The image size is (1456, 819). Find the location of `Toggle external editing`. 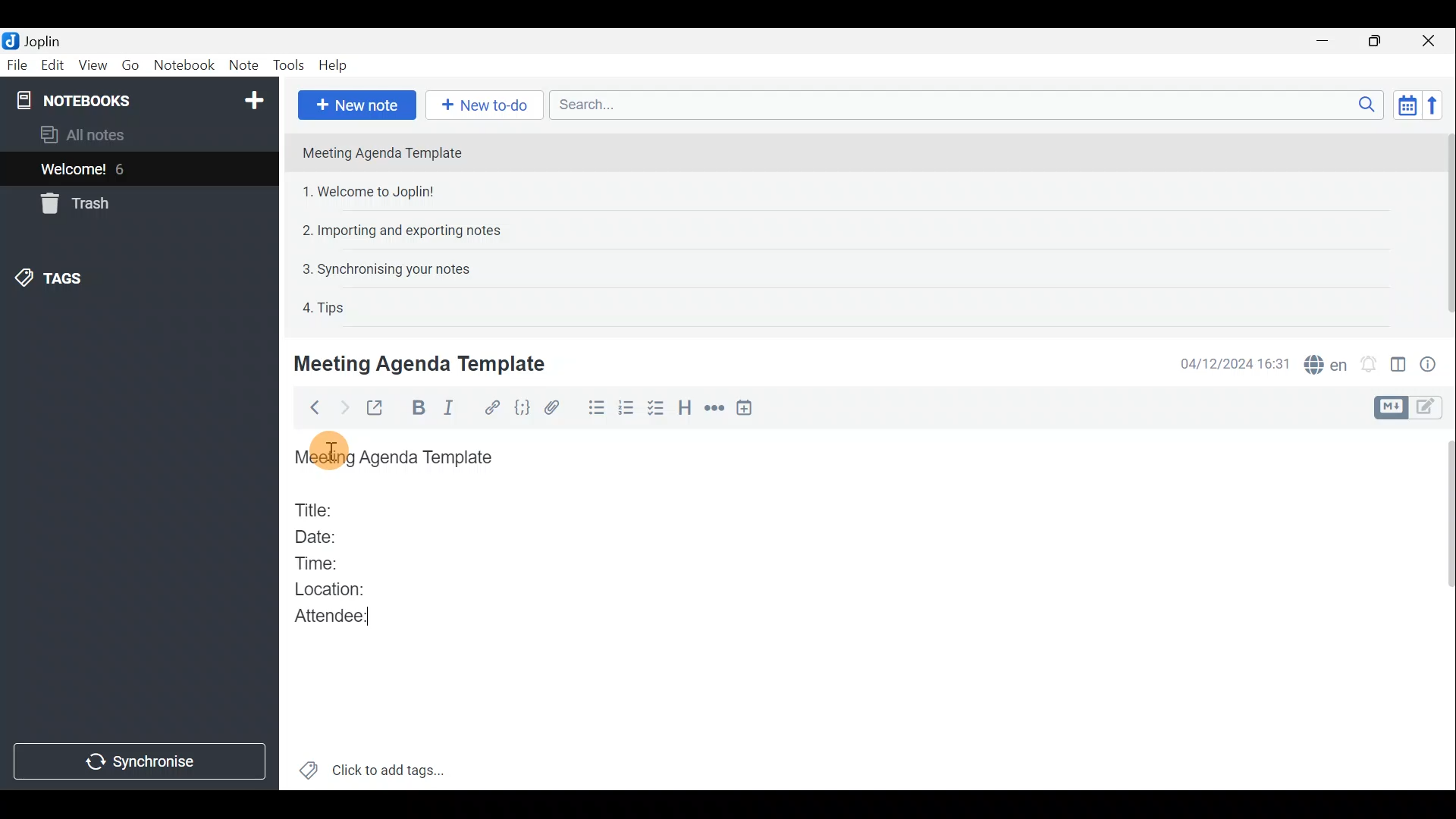

Toggle external editing is located at coordinates (379, 409).